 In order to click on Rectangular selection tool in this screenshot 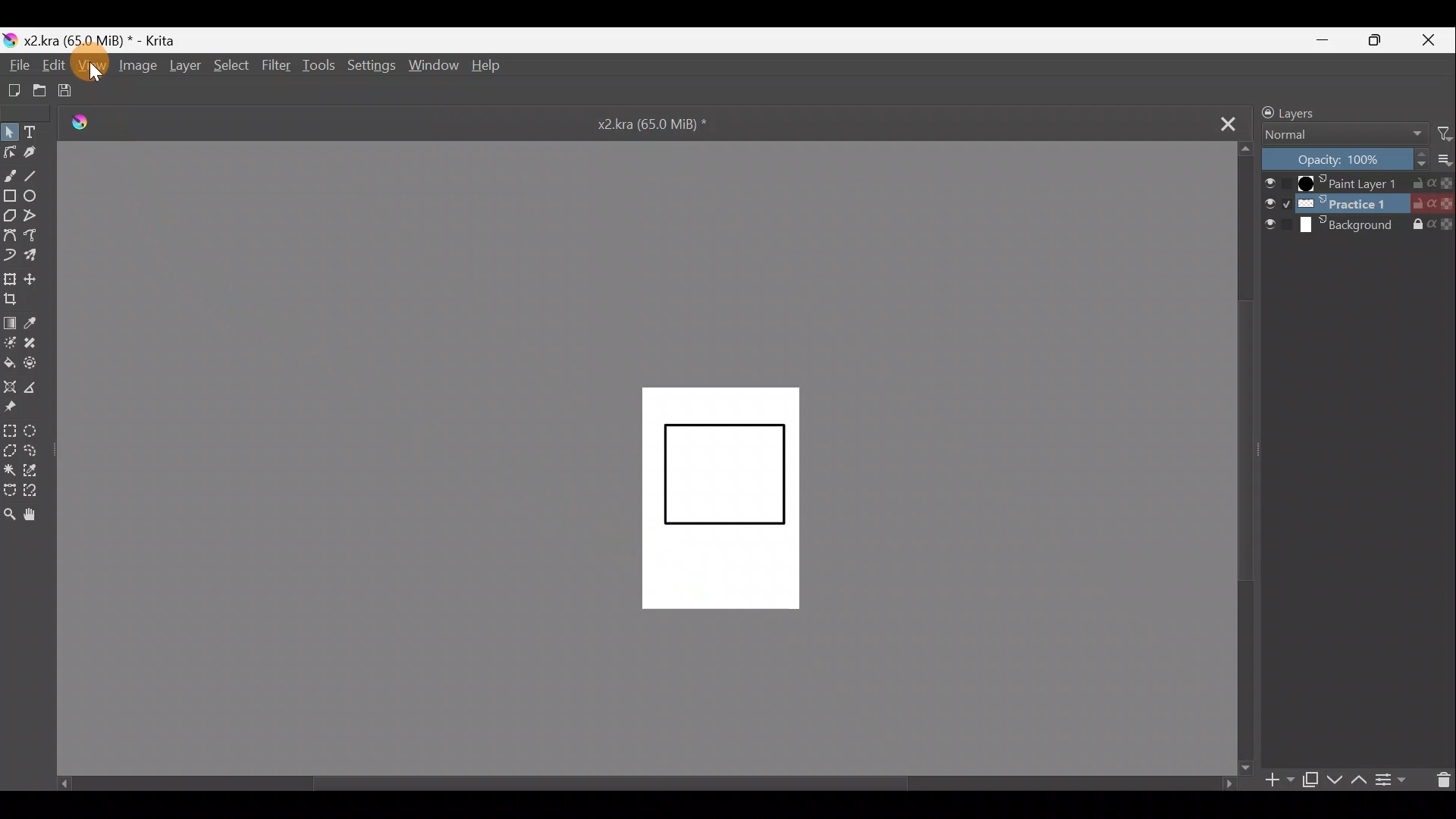, I will do `click(9, 430)`.